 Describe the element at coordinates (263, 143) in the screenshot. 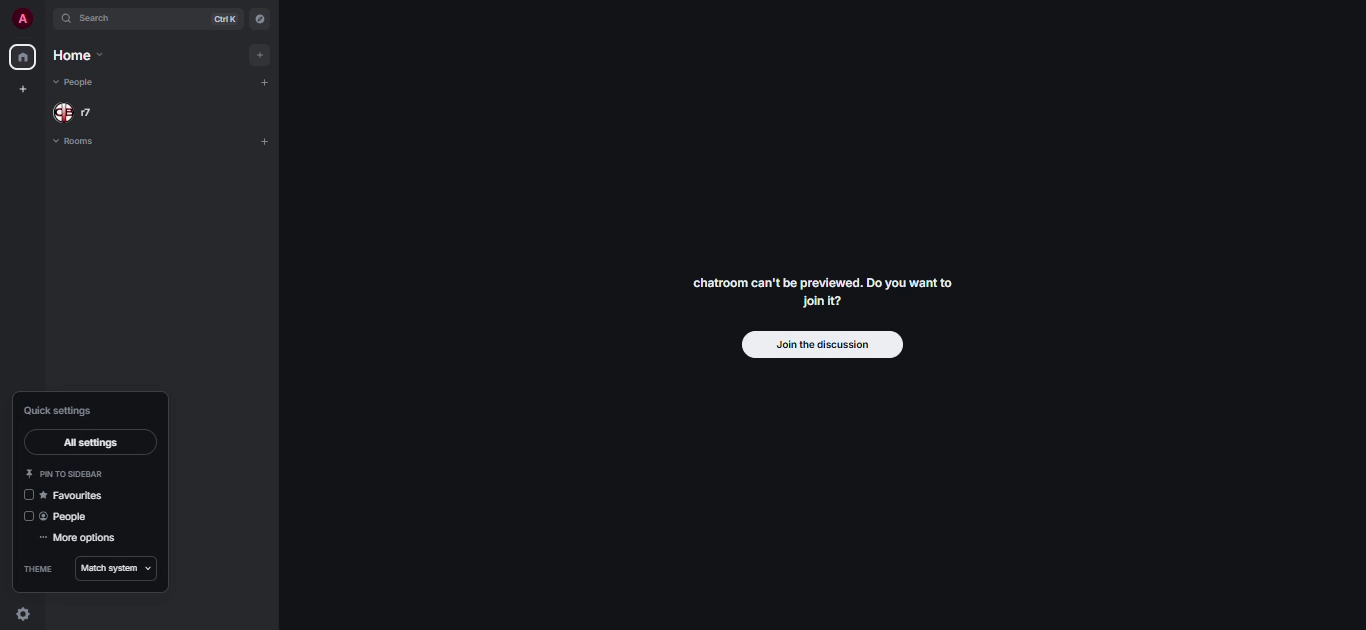

I see `add` at that location.